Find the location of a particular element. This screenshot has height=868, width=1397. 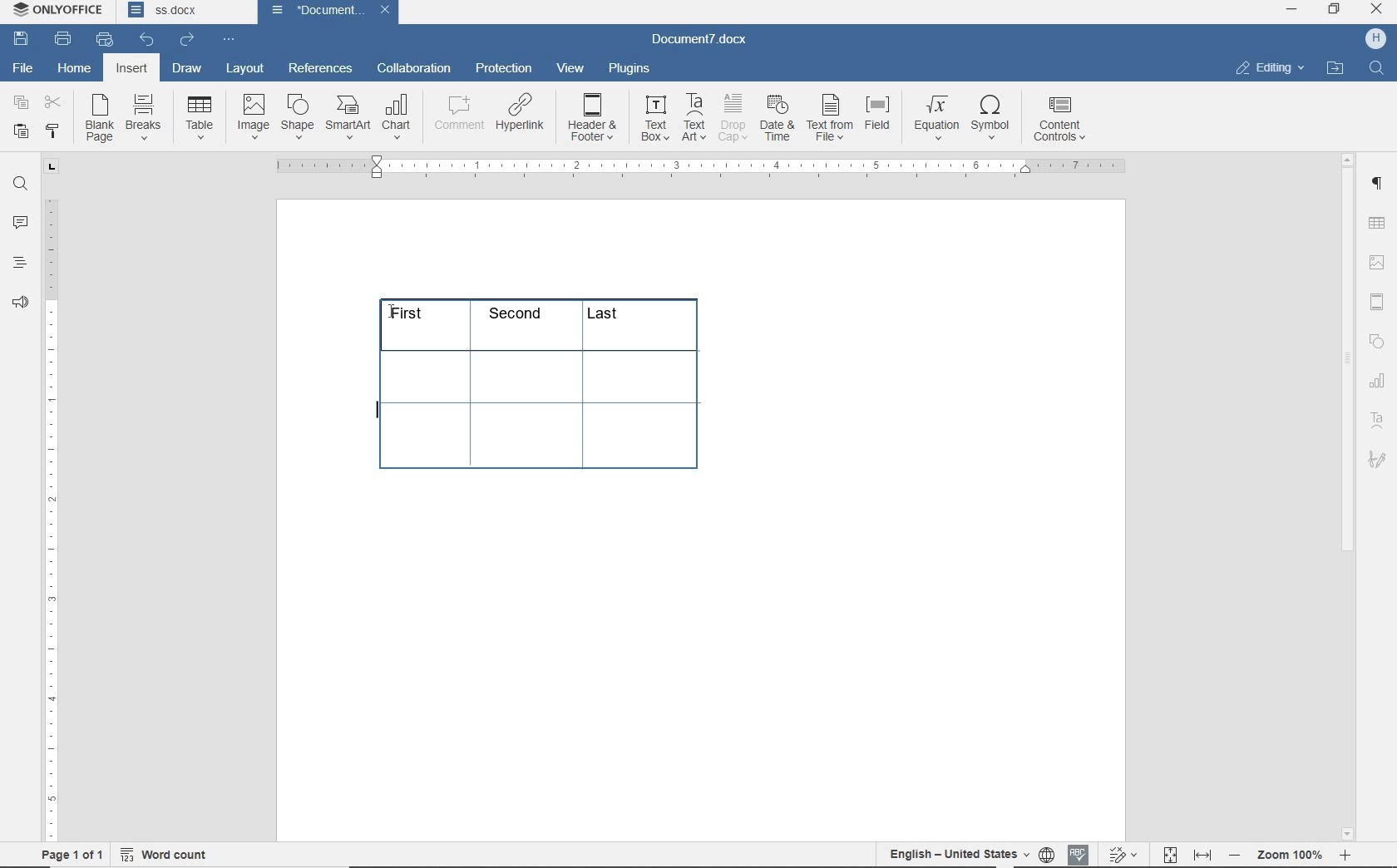

shape is located at coordinates (298, 116).